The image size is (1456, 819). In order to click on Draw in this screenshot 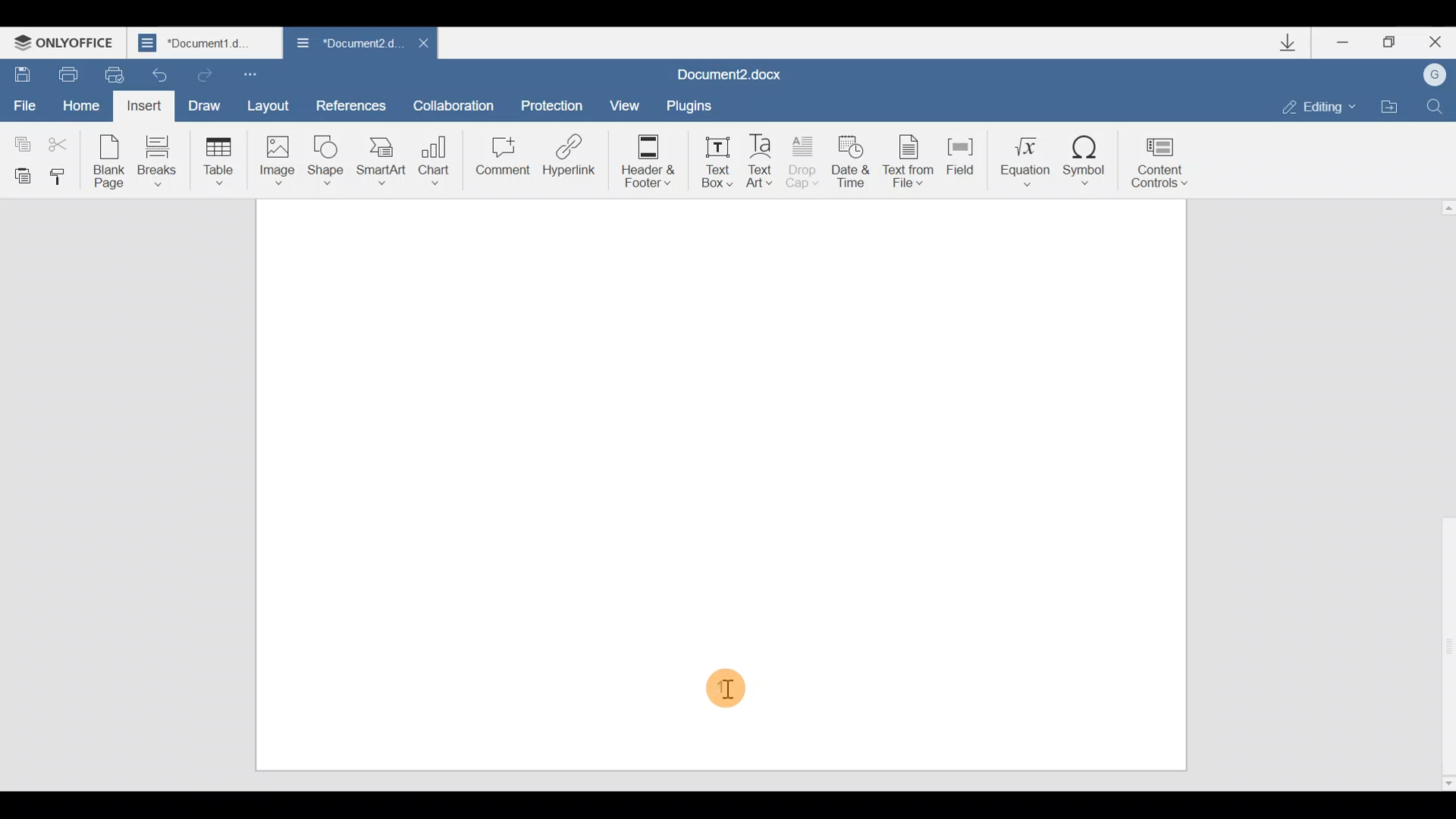, I will do `click(209, 104)`.